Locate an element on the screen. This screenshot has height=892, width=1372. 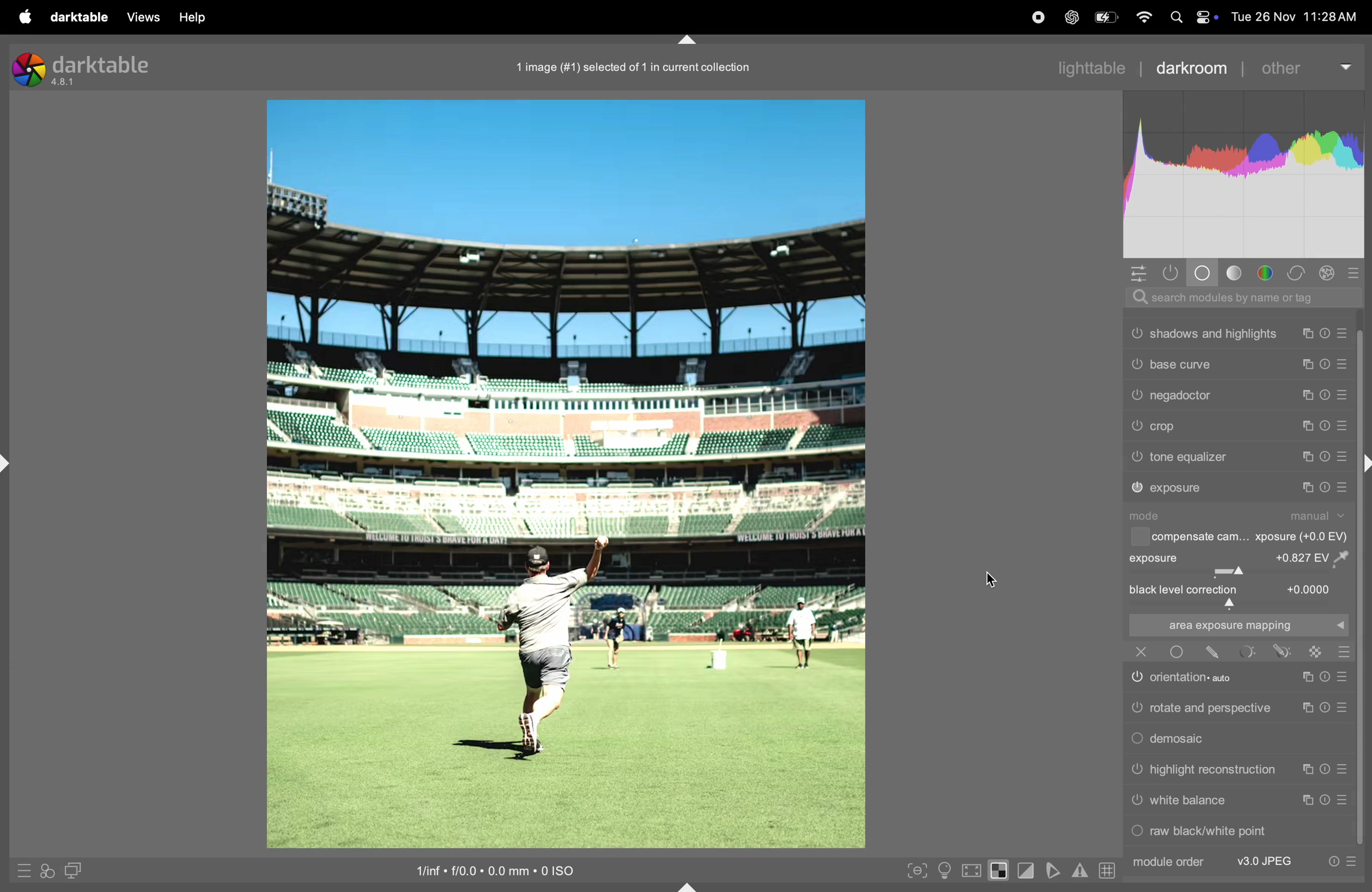
Presets  is located at coordinates (1342, 458).